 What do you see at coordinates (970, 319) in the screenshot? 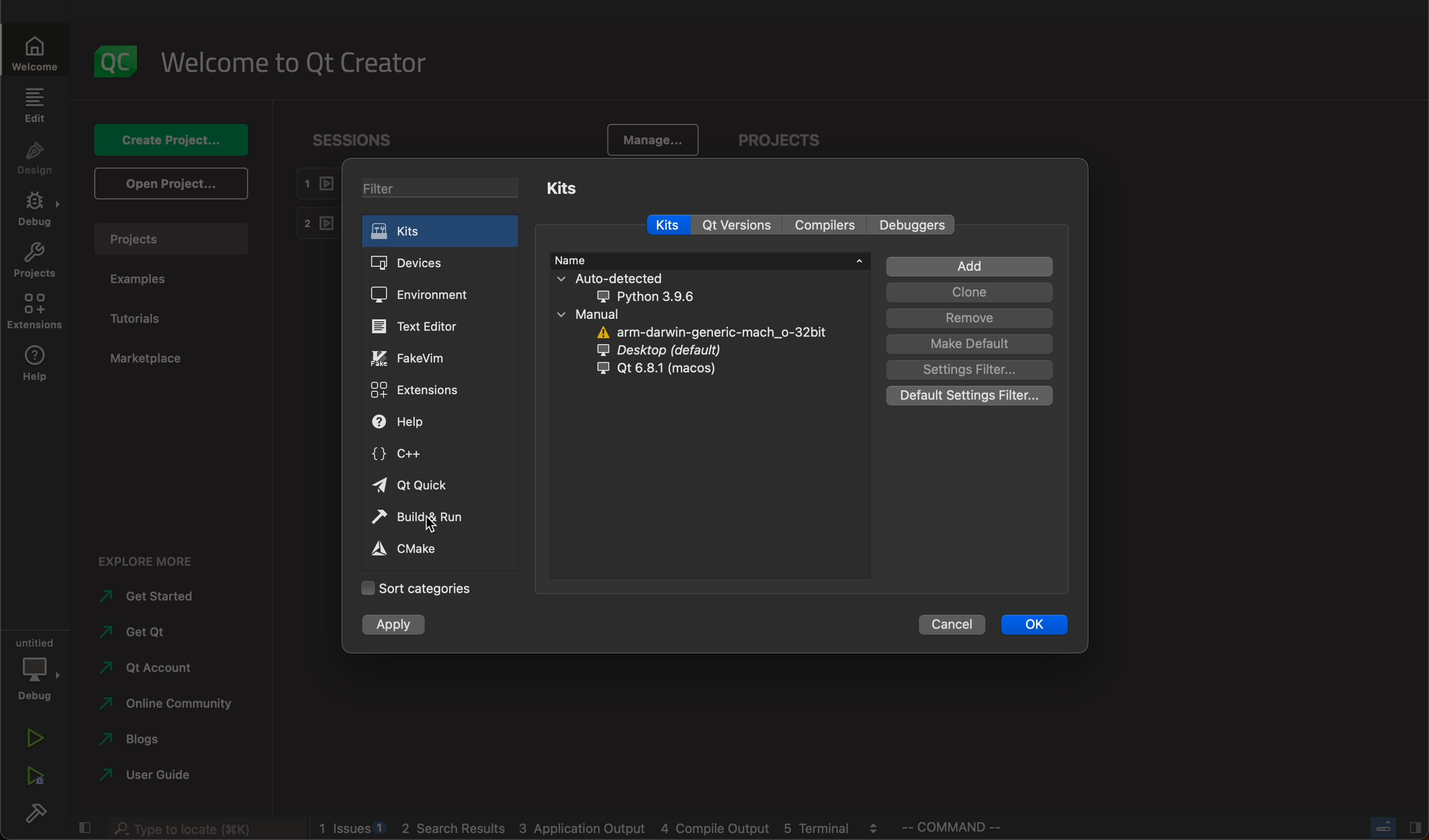
I see `remove` at bounding box center [970, 319].